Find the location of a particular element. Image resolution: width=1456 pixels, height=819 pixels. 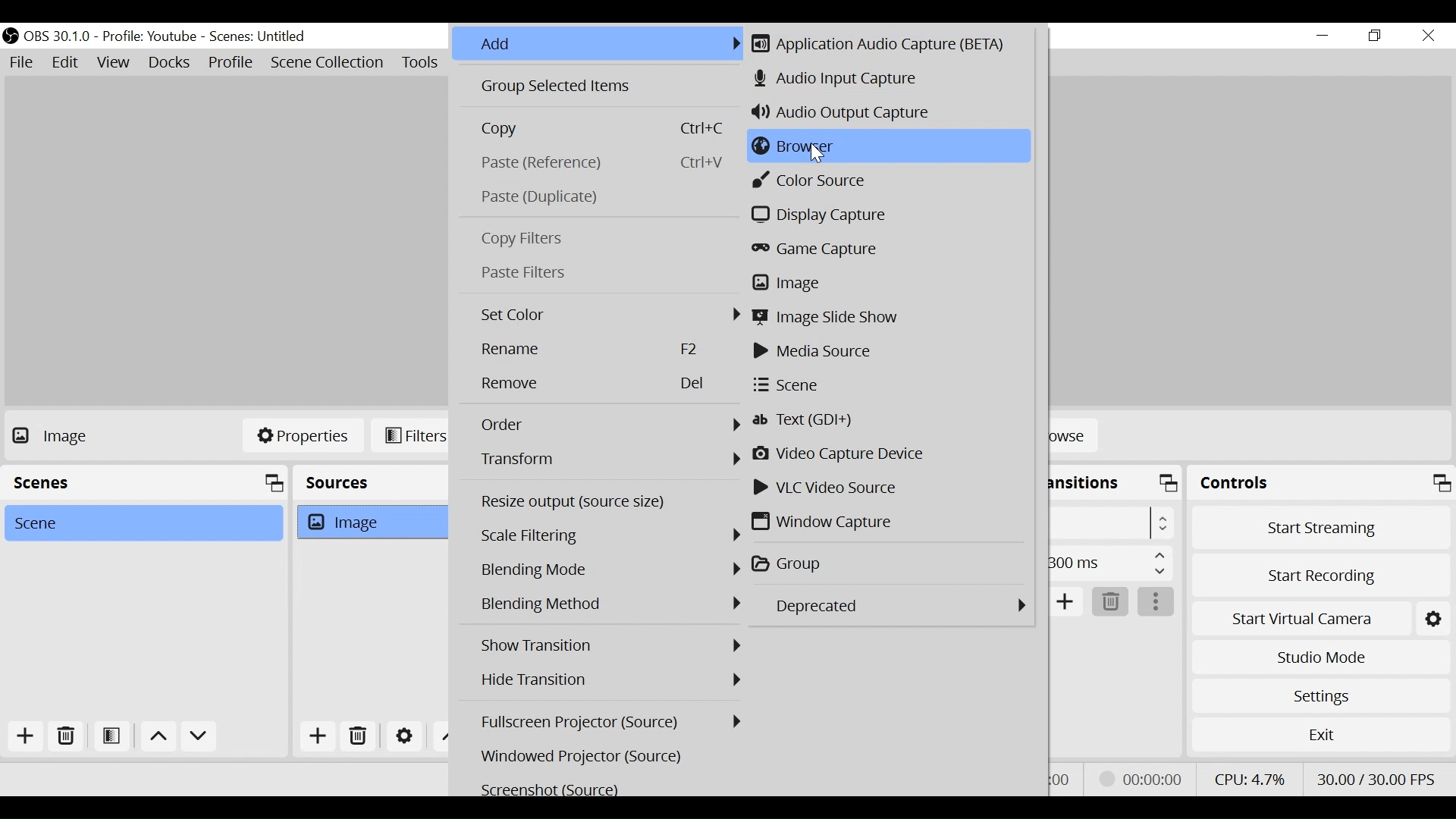

CPU Usage is located at coordinates (1254, 779).